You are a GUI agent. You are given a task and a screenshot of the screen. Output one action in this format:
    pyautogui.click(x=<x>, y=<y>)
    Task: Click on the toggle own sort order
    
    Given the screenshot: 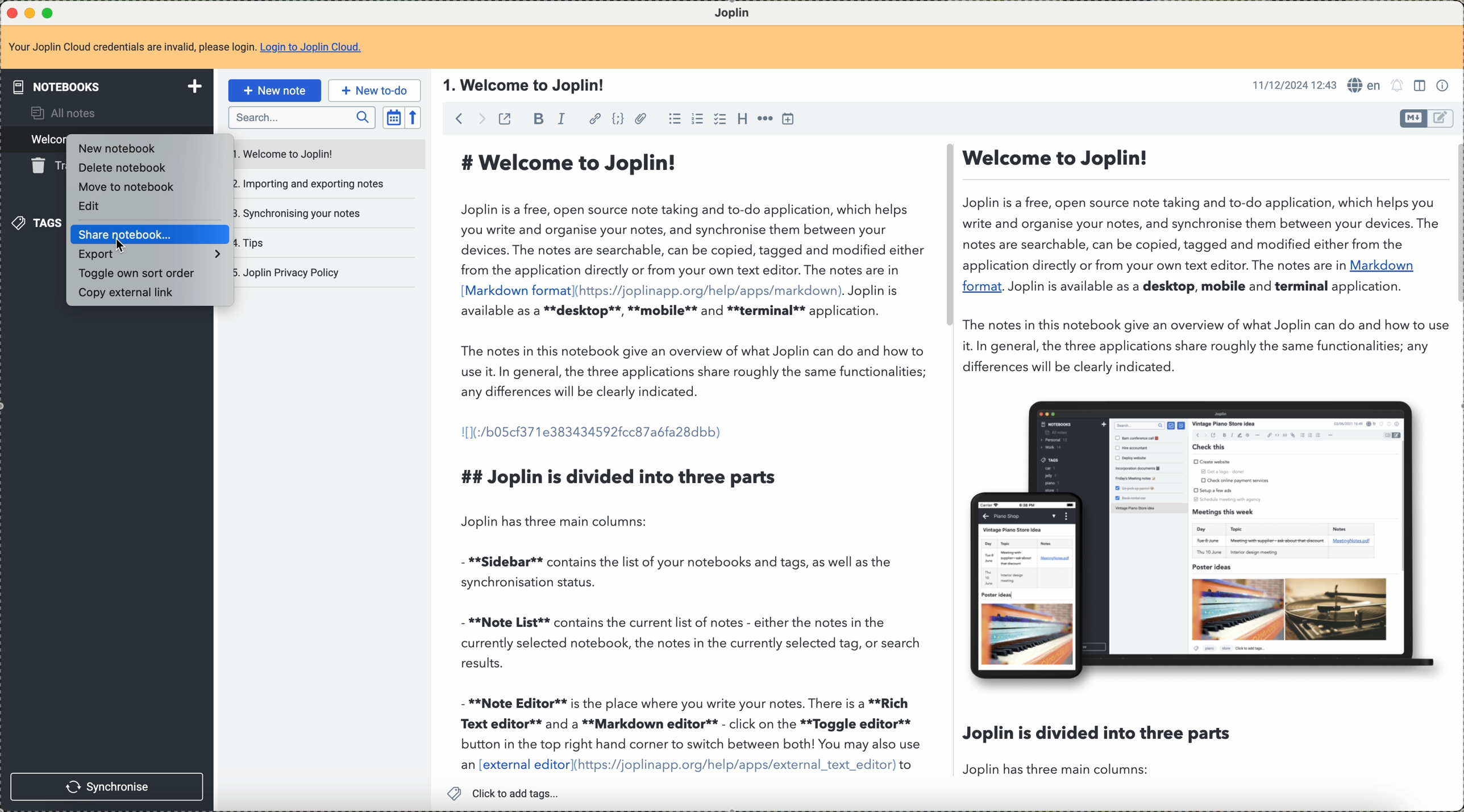 What is the action you would take?
    pyautogui.click(x=139, y=273)
    